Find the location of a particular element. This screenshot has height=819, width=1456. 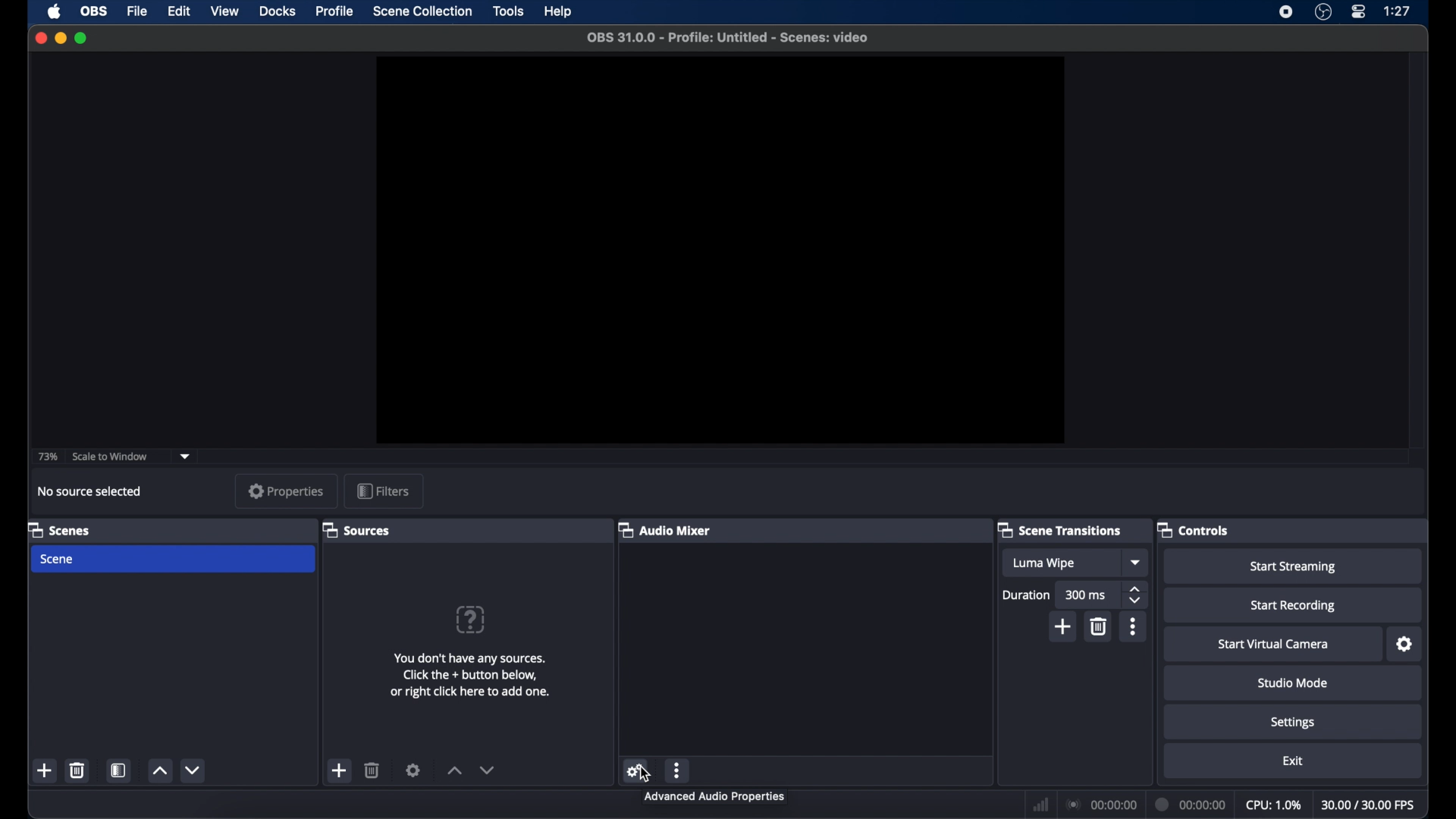

more options is located at coordinates (678, 770).